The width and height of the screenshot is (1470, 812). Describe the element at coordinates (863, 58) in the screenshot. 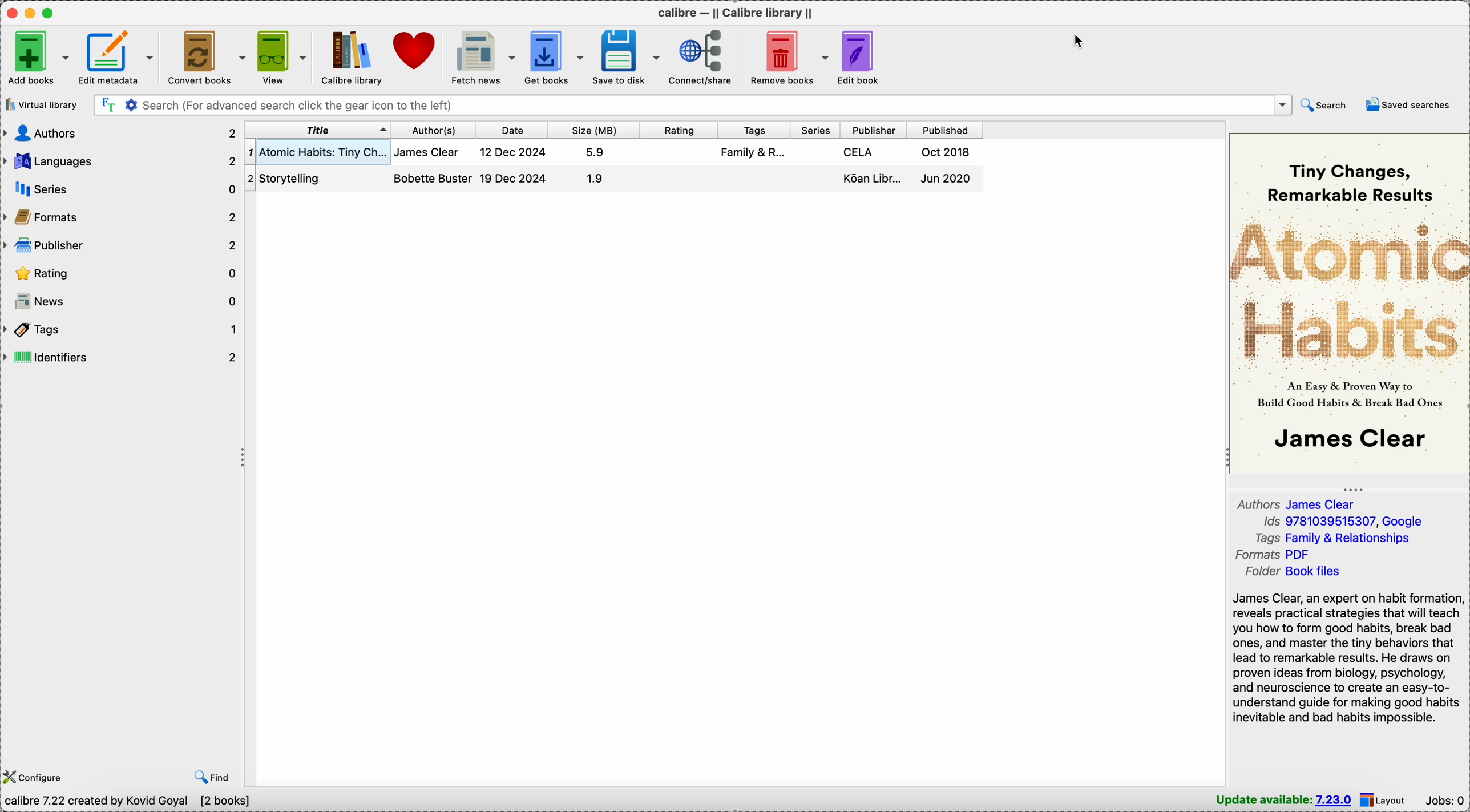

I see `edit book` at that location.